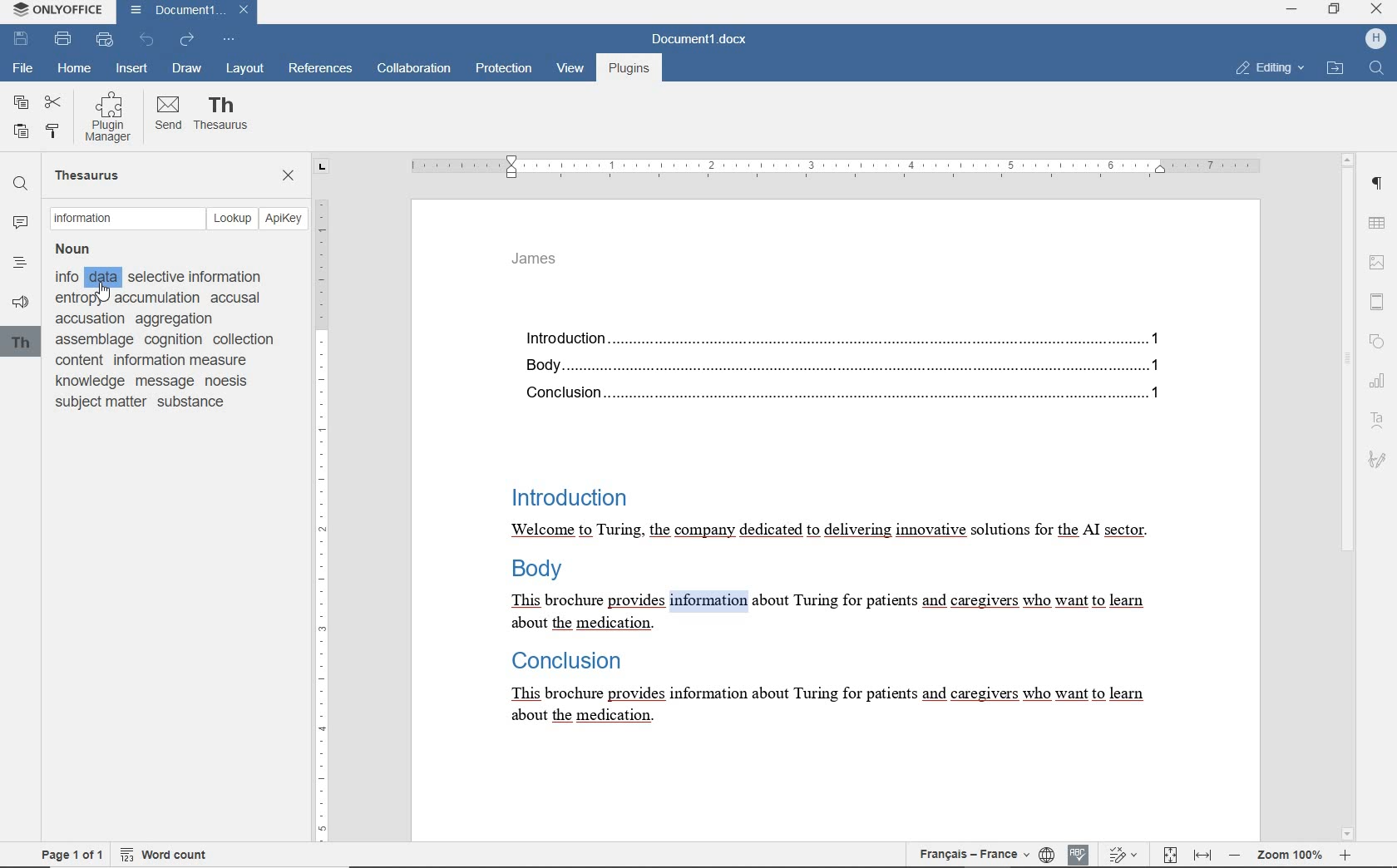  I want to click on THESAURUS, so click(89, 175).